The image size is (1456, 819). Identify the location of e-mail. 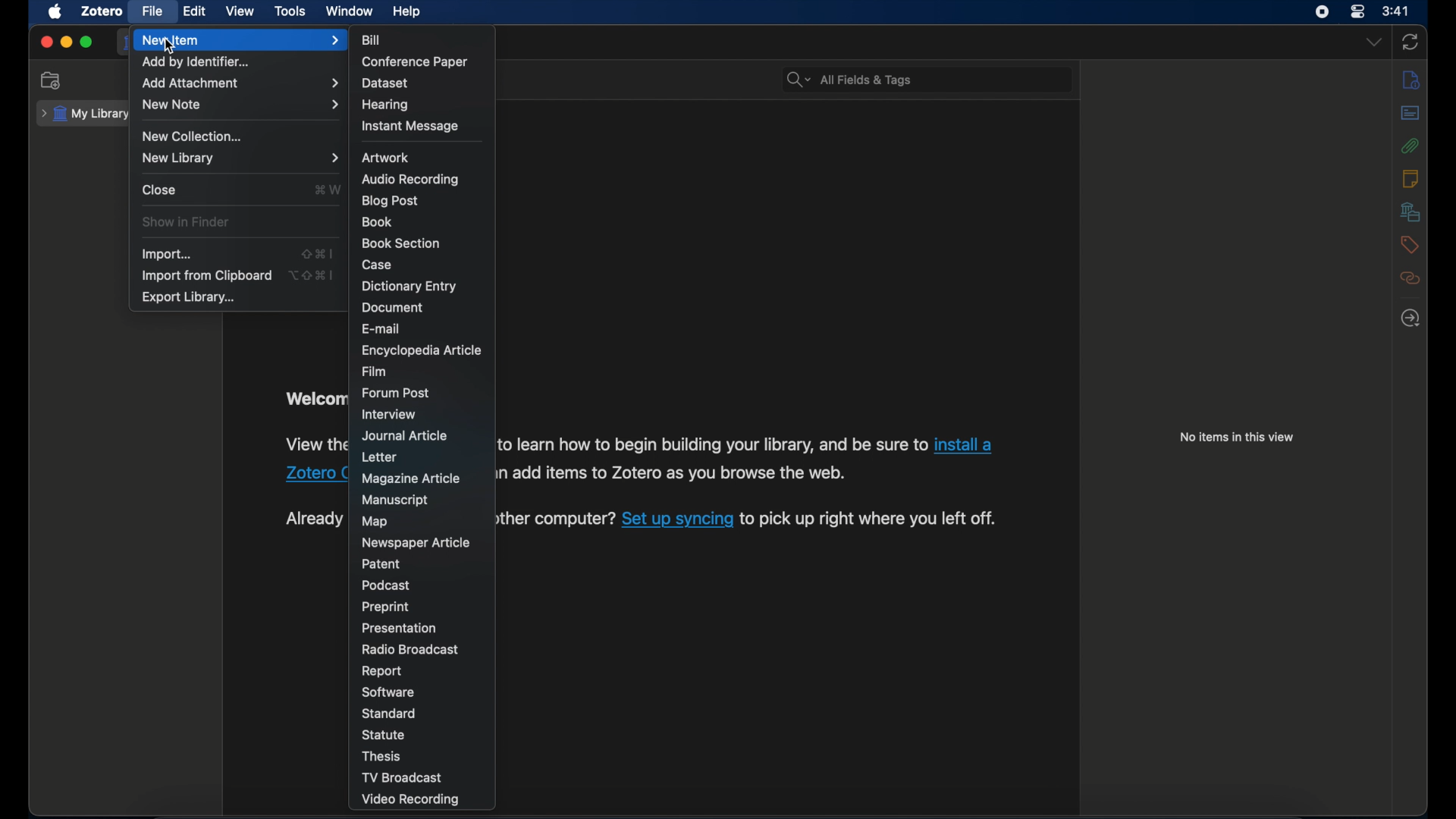
(381, 329).